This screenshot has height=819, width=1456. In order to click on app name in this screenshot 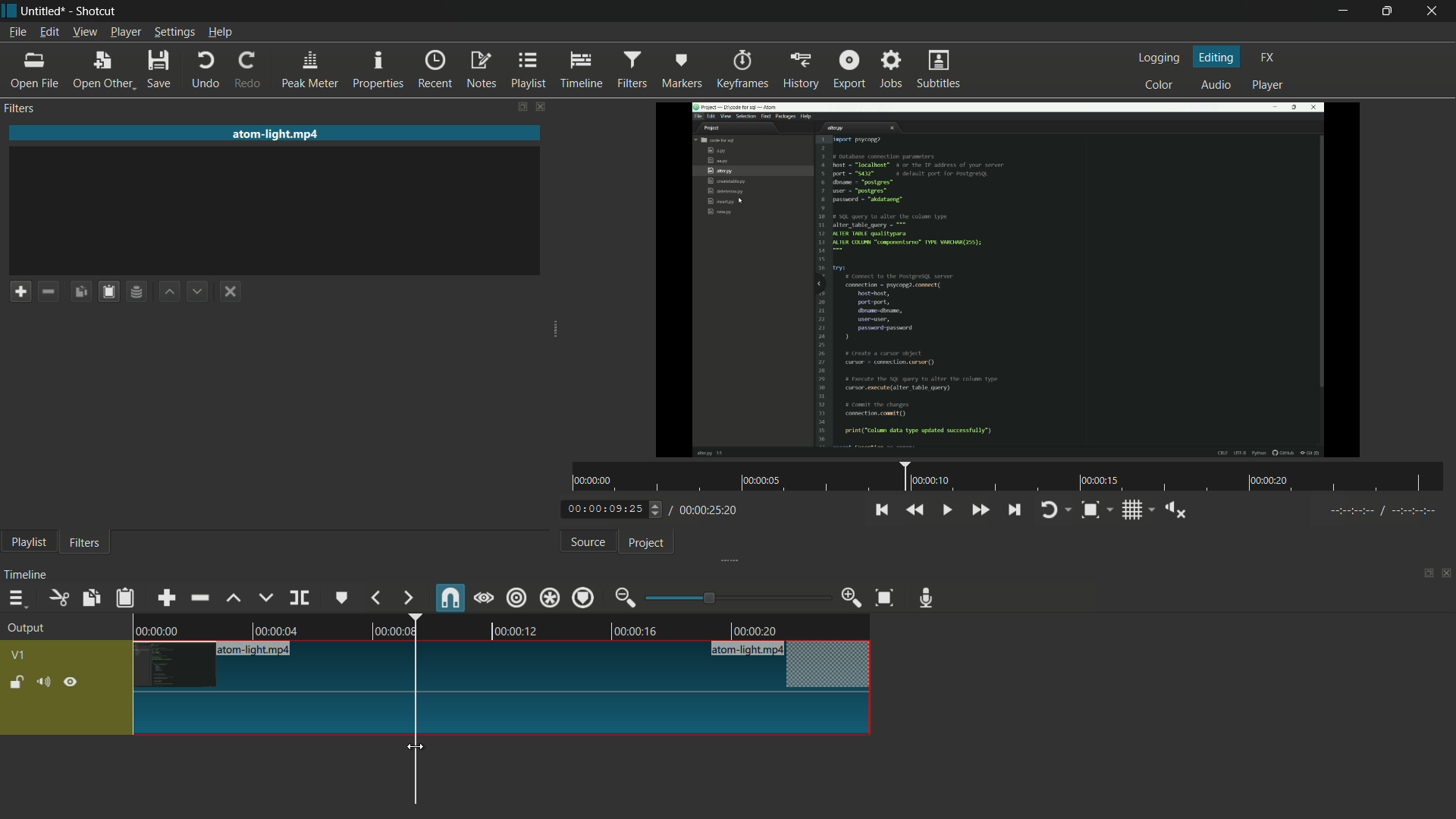, I will do `click(97, 11)`.